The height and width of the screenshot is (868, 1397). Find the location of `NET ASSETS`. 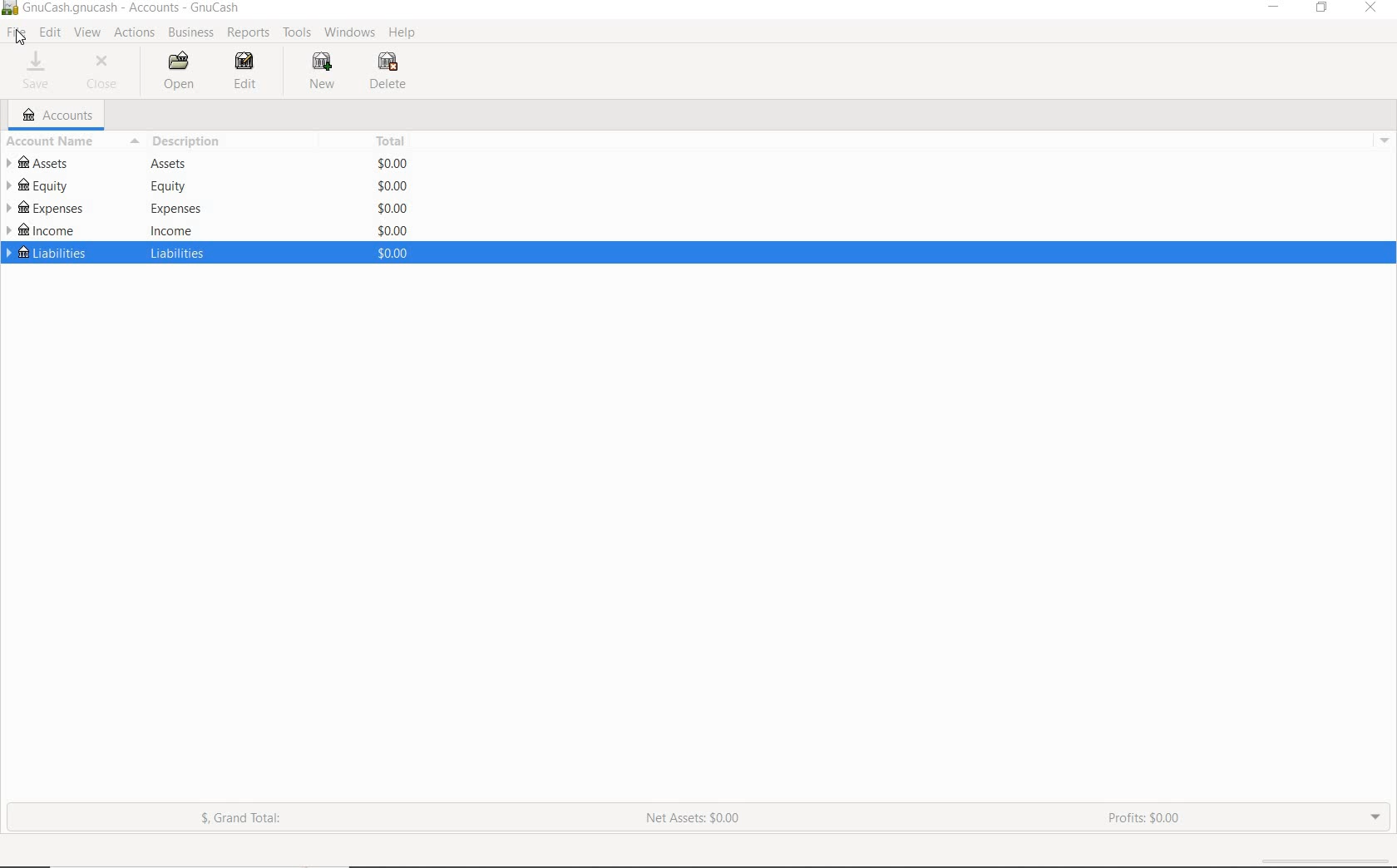

NET ASSETS is located at coordinates (697, 821).